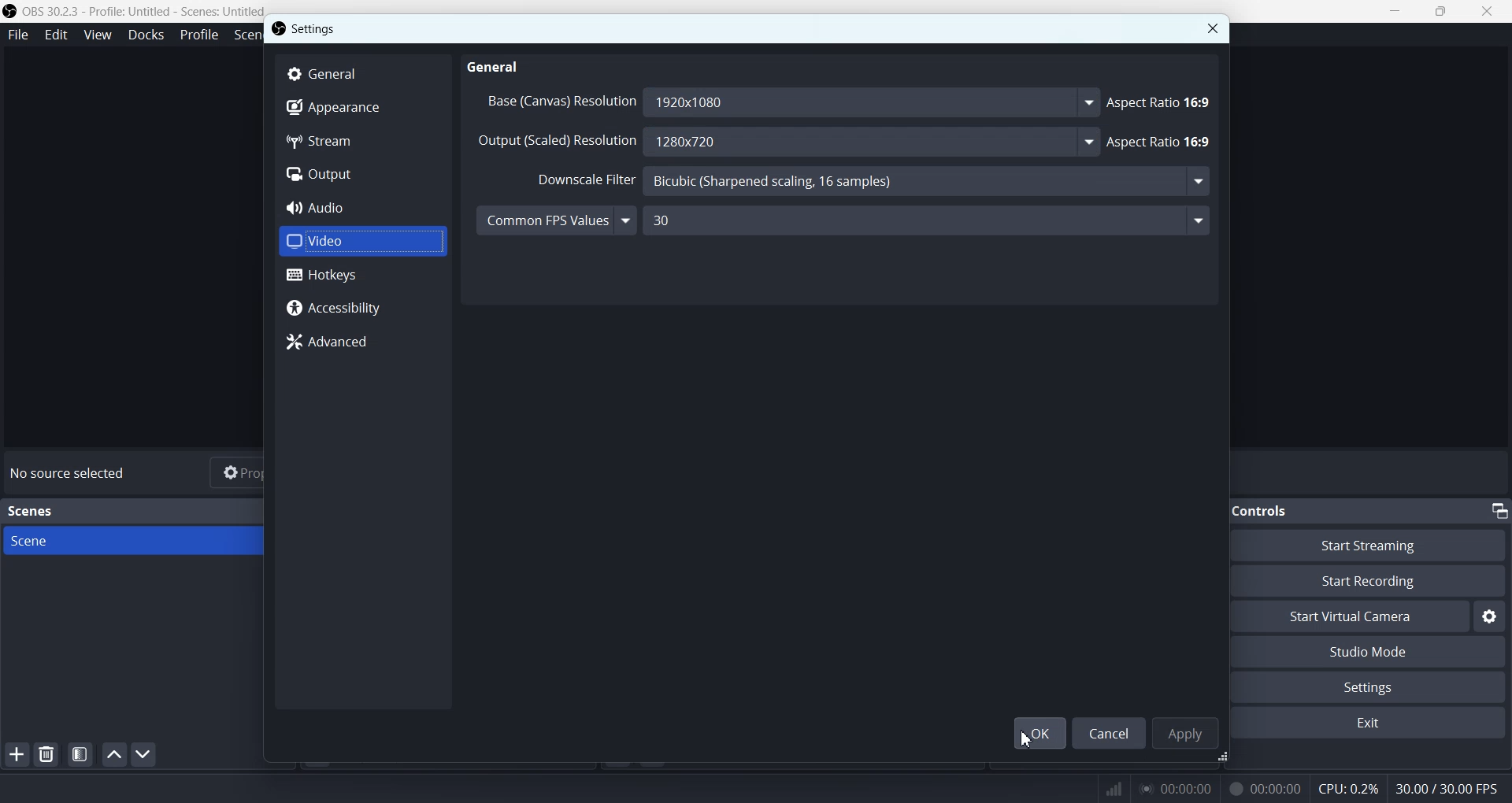 Image resolution: width=1512 pixels, height=803 pixels. I want to click on Studio Mode, so click(1377, 653).